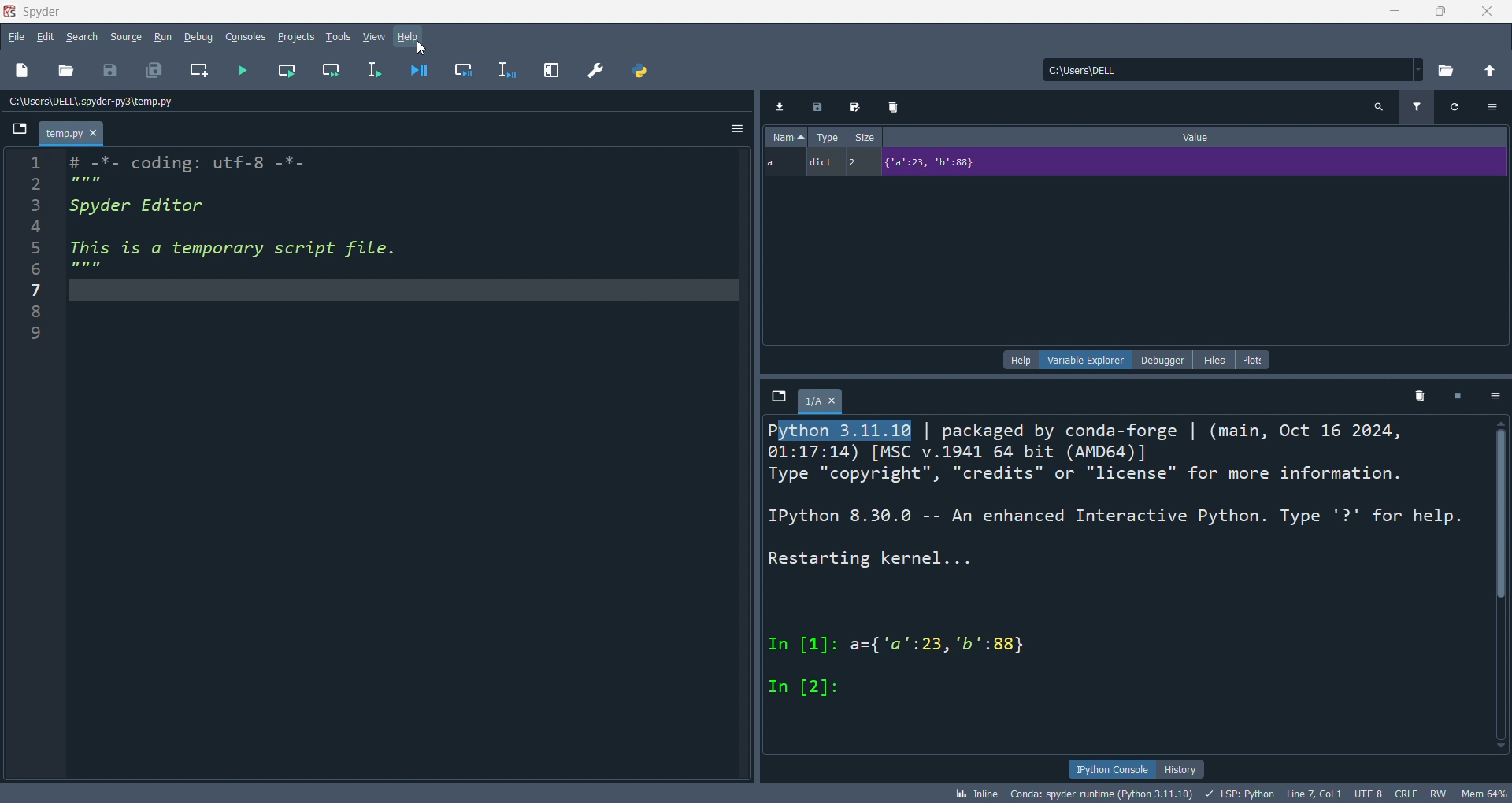 This screenshot has width=1512, height=803. Describe the element at coordinates (1135, 163) in the screenshot. I see `a dict 2 {'a':23, 'b':88}` at that location.